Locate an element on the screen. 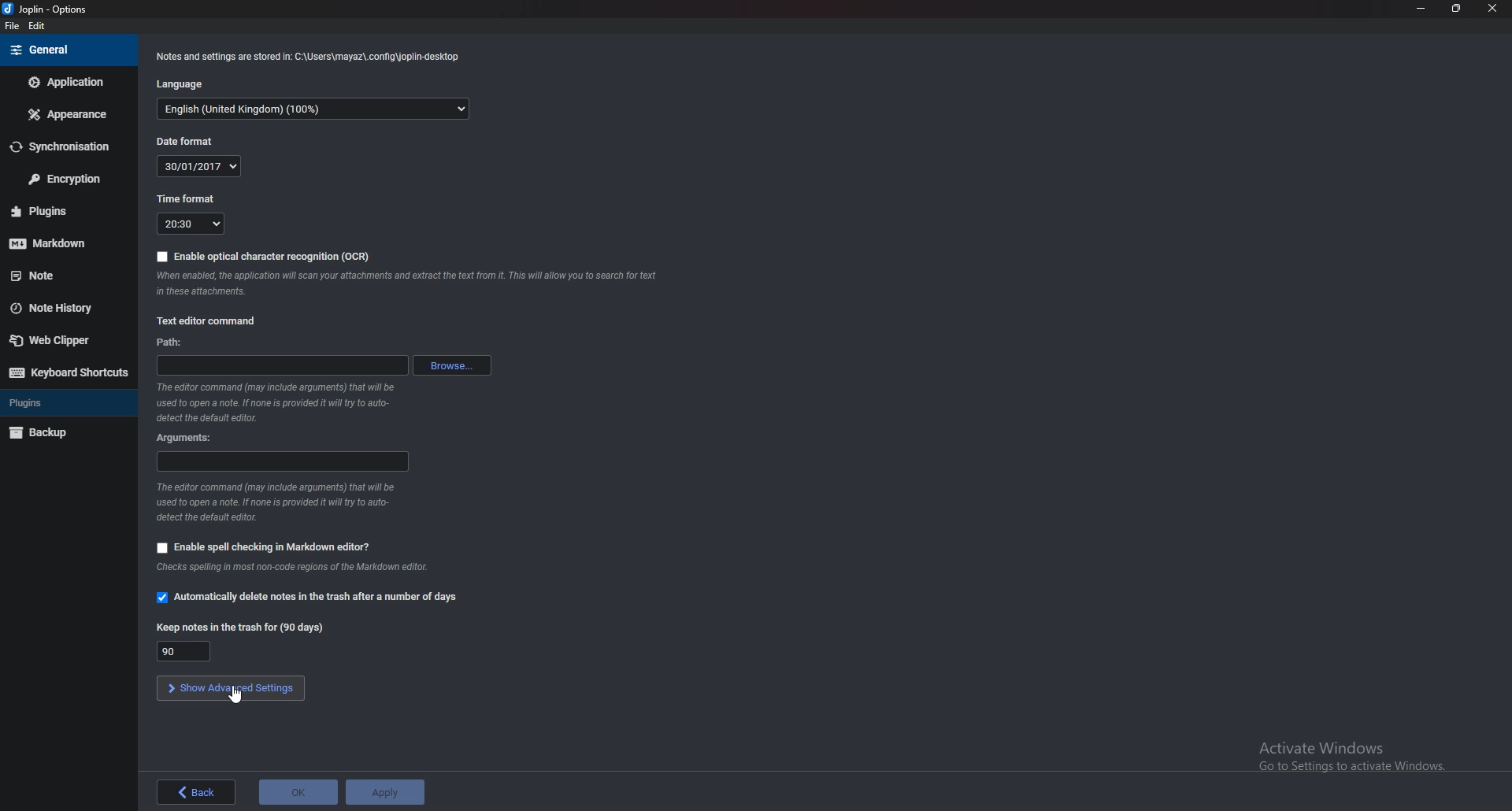 Image resolution: width=1512 pixels, height=811 pixels. ok is located at coordinates (298, 792).